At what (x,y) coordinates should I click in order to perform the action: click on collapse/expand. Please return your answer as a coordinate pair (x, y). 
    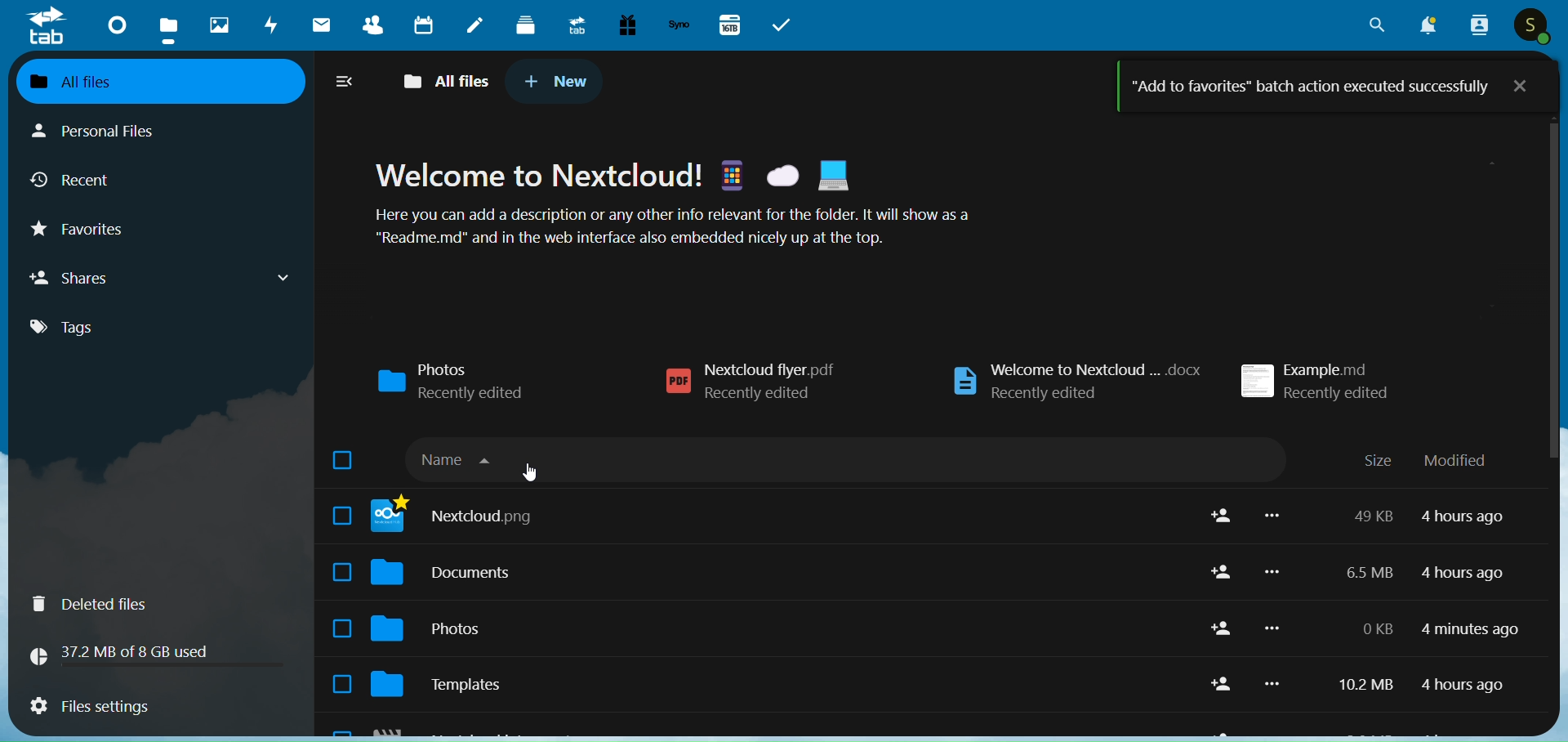
    Looking at the image, I should click on (344, 83).